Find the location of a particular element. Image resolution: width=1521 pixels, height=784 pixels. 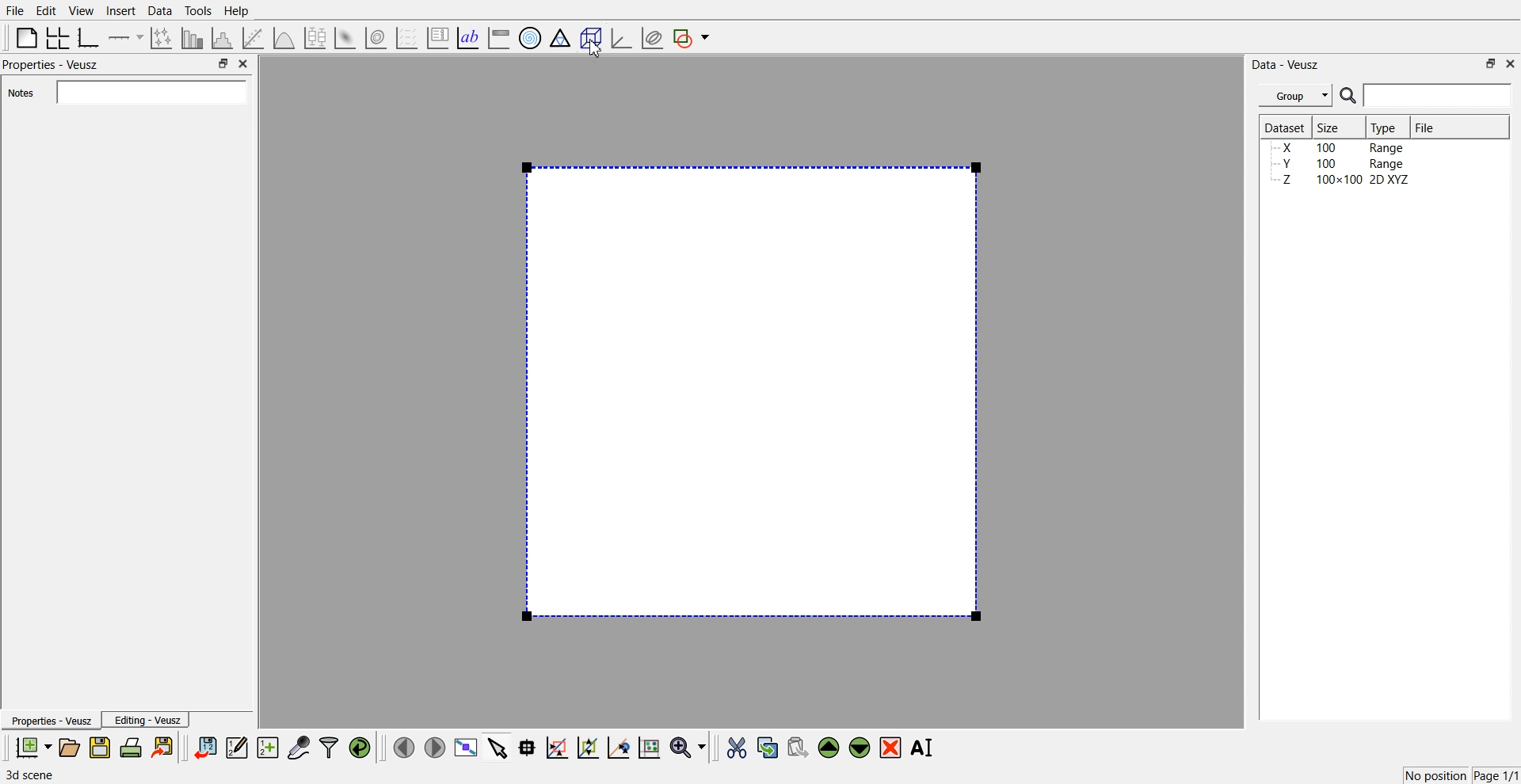

Save the document is located at coordinates (100, 747).